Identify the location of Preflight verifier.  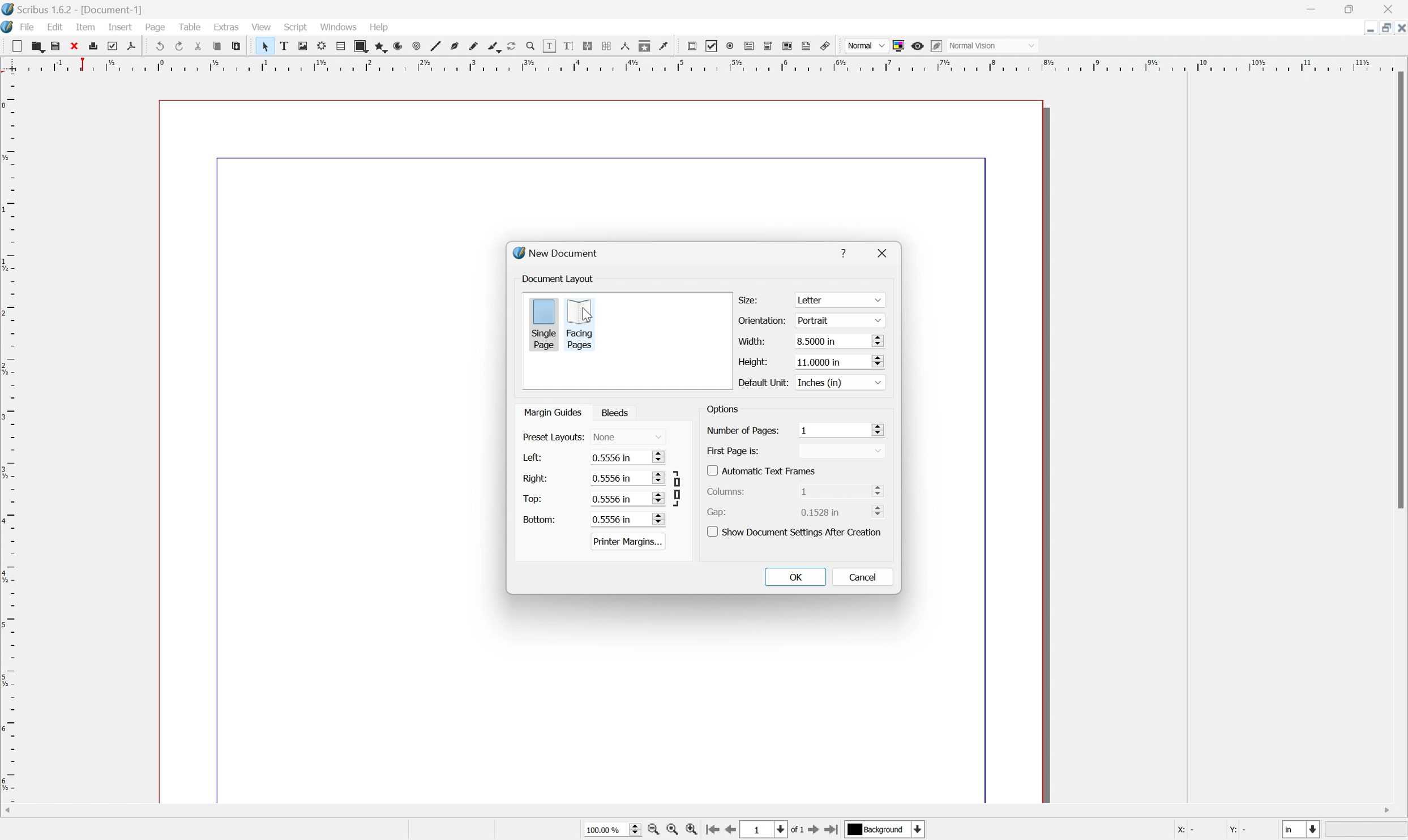
(117, 46).